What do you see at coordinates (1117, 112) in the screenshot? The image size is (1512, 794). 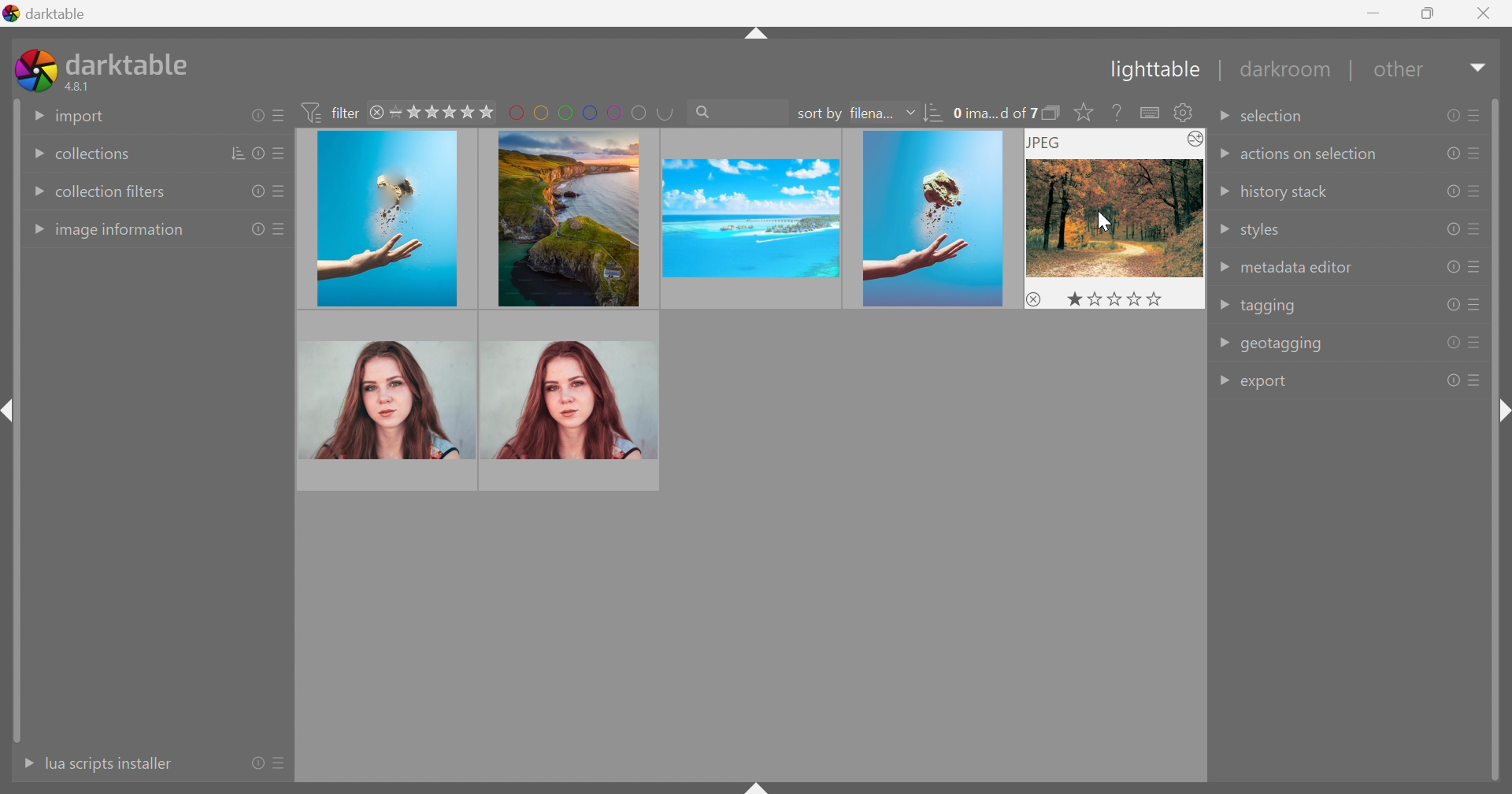 I see `enable this then click on a control element to see its online help` at bounding box center [1117, 112].